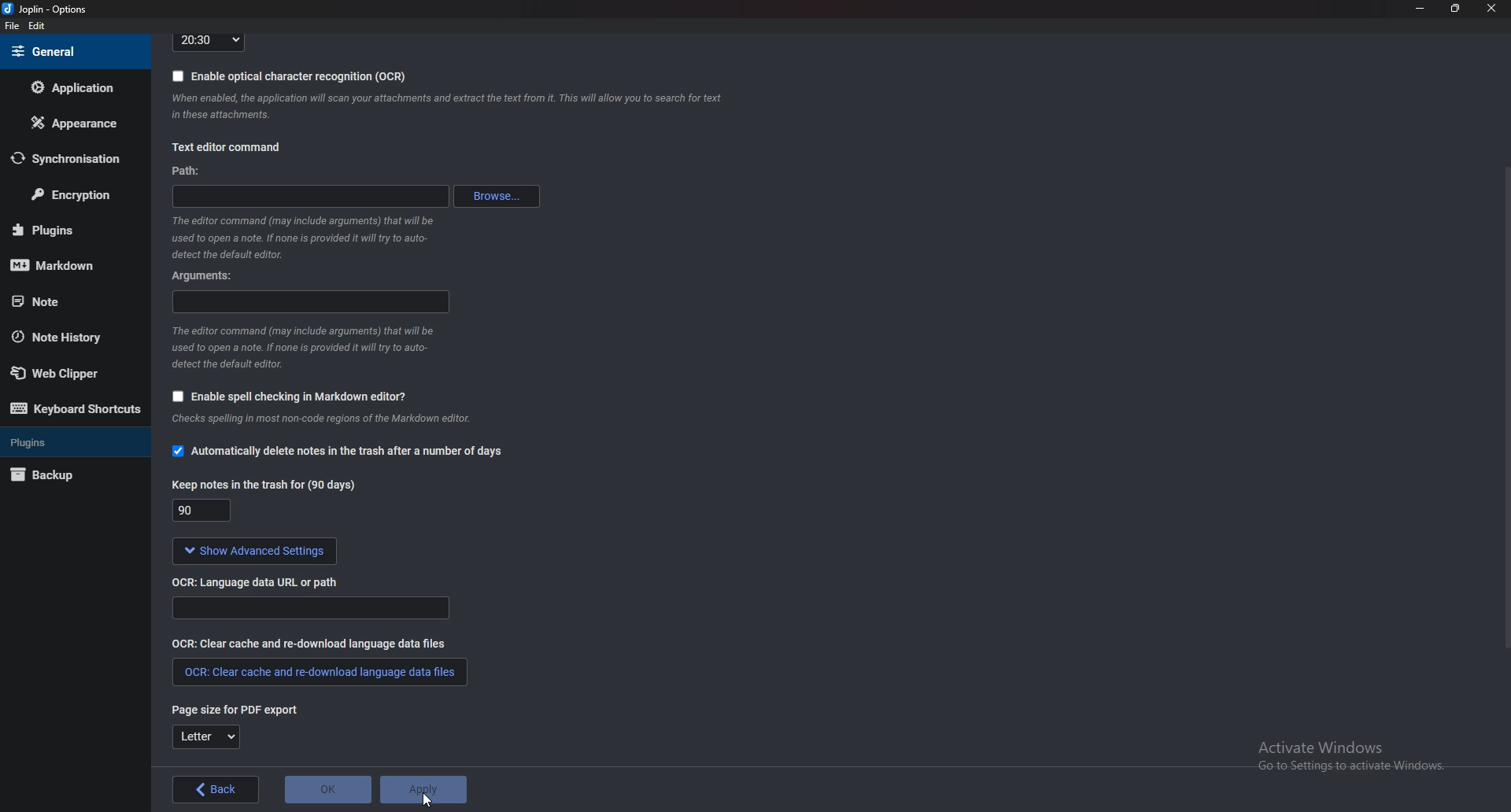 The image size is (1511, 812). What do you see at coordinates (285, 398) in the screenshot?
I see `Enable spell checking` at bounding box center [285, 398].